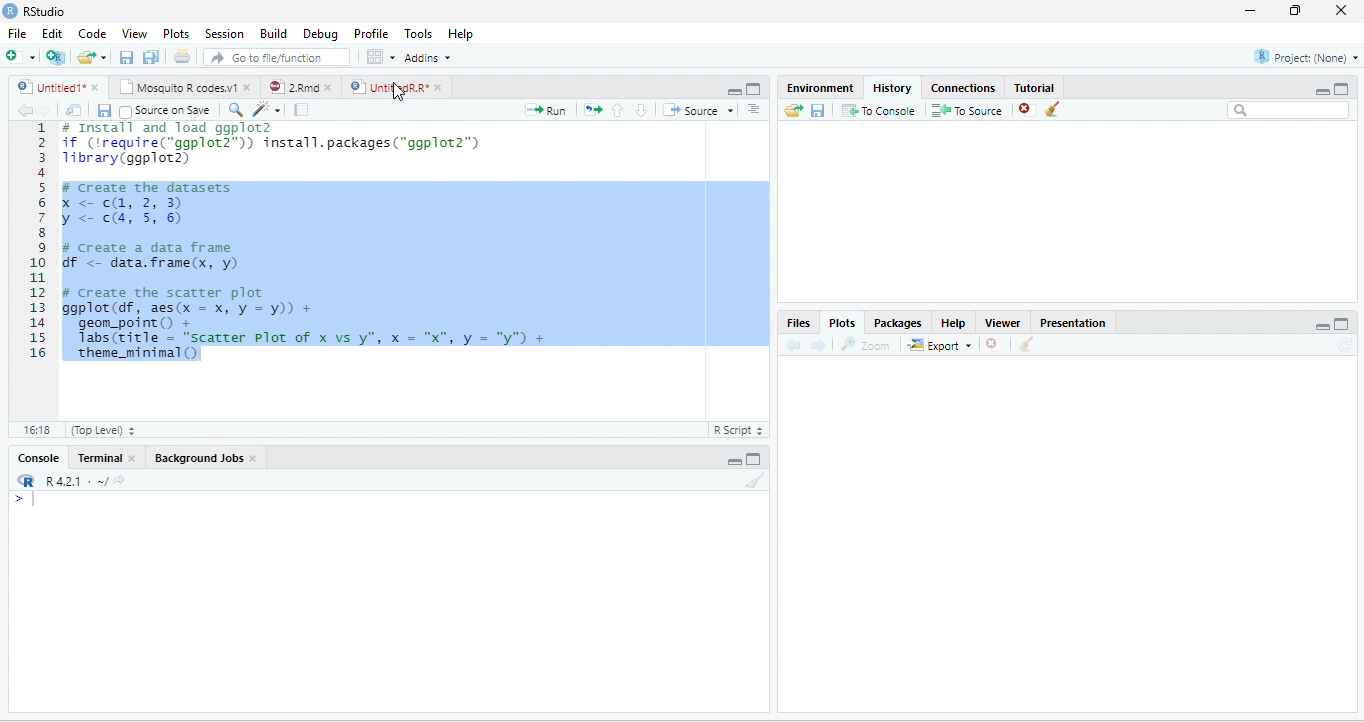  I want to click on Terminal, so click(99, 458).